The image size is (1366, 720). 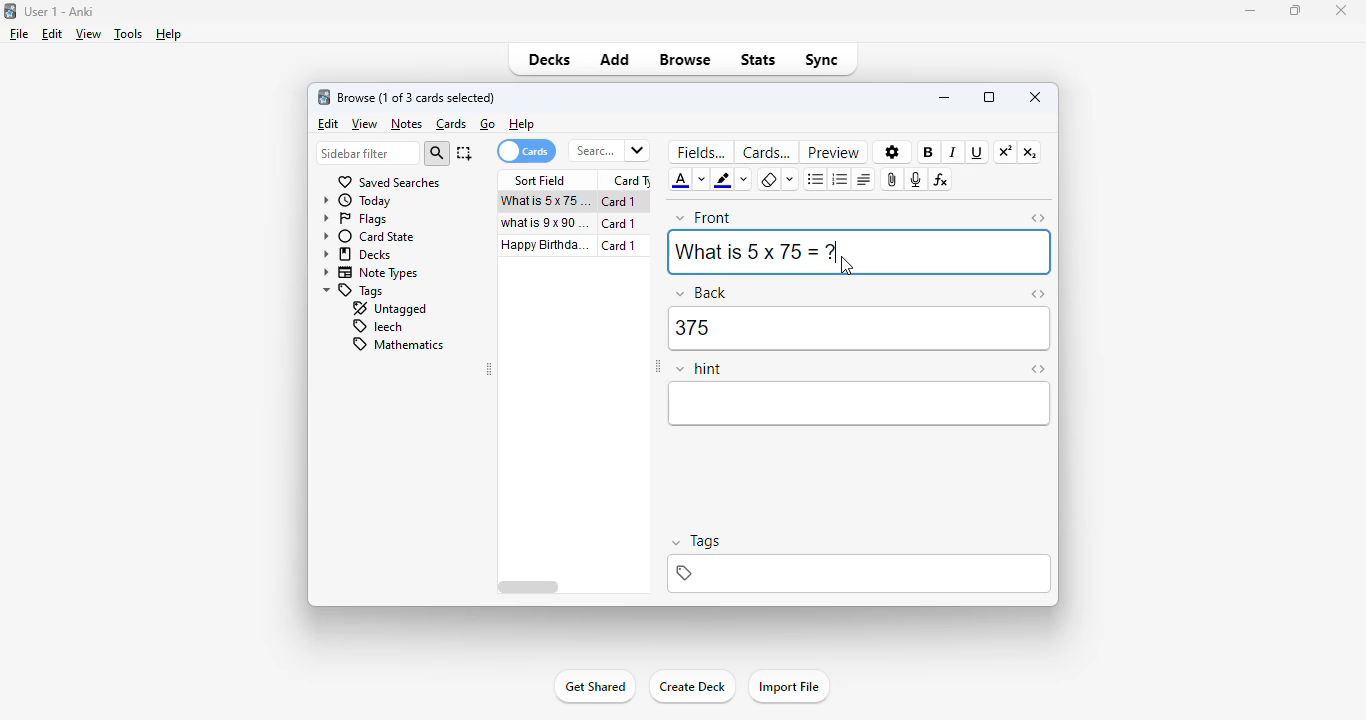 What do you see at coordinates (861, 574) in the screenshot?
I see `tags` at bounding box center [861, 574].